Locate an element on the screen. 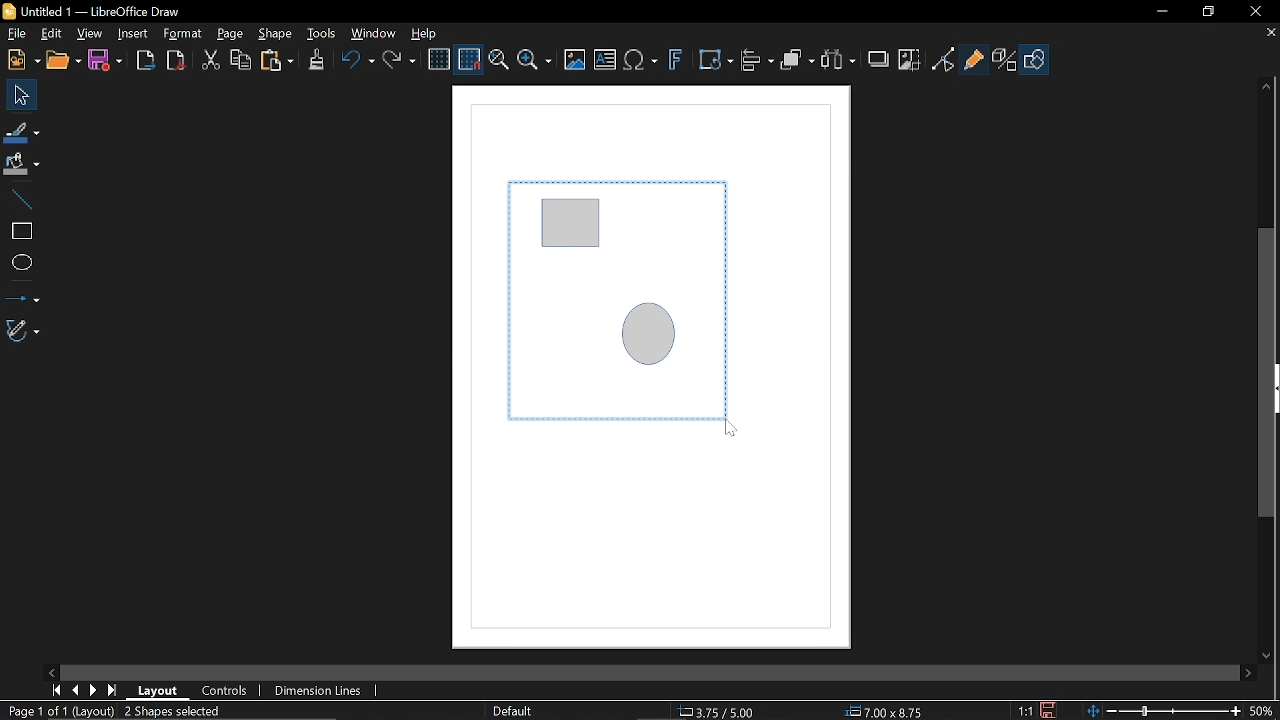 This screenshot has height=720, width=1280. Minimize is located at coordinates (1162, 11).